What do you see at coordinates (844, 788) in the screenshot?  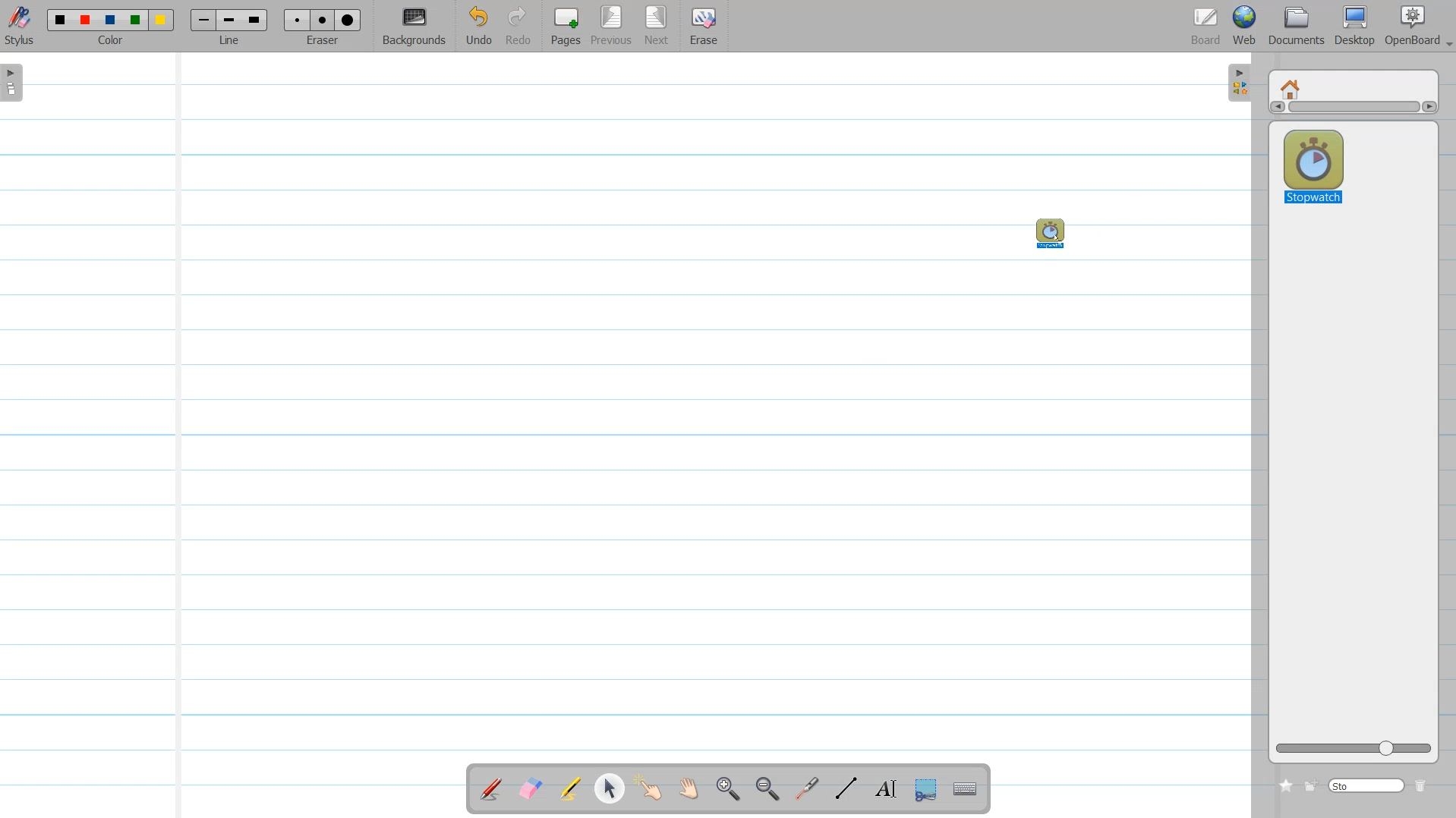 I see `Draw Line` at bounding box center [844, 788].